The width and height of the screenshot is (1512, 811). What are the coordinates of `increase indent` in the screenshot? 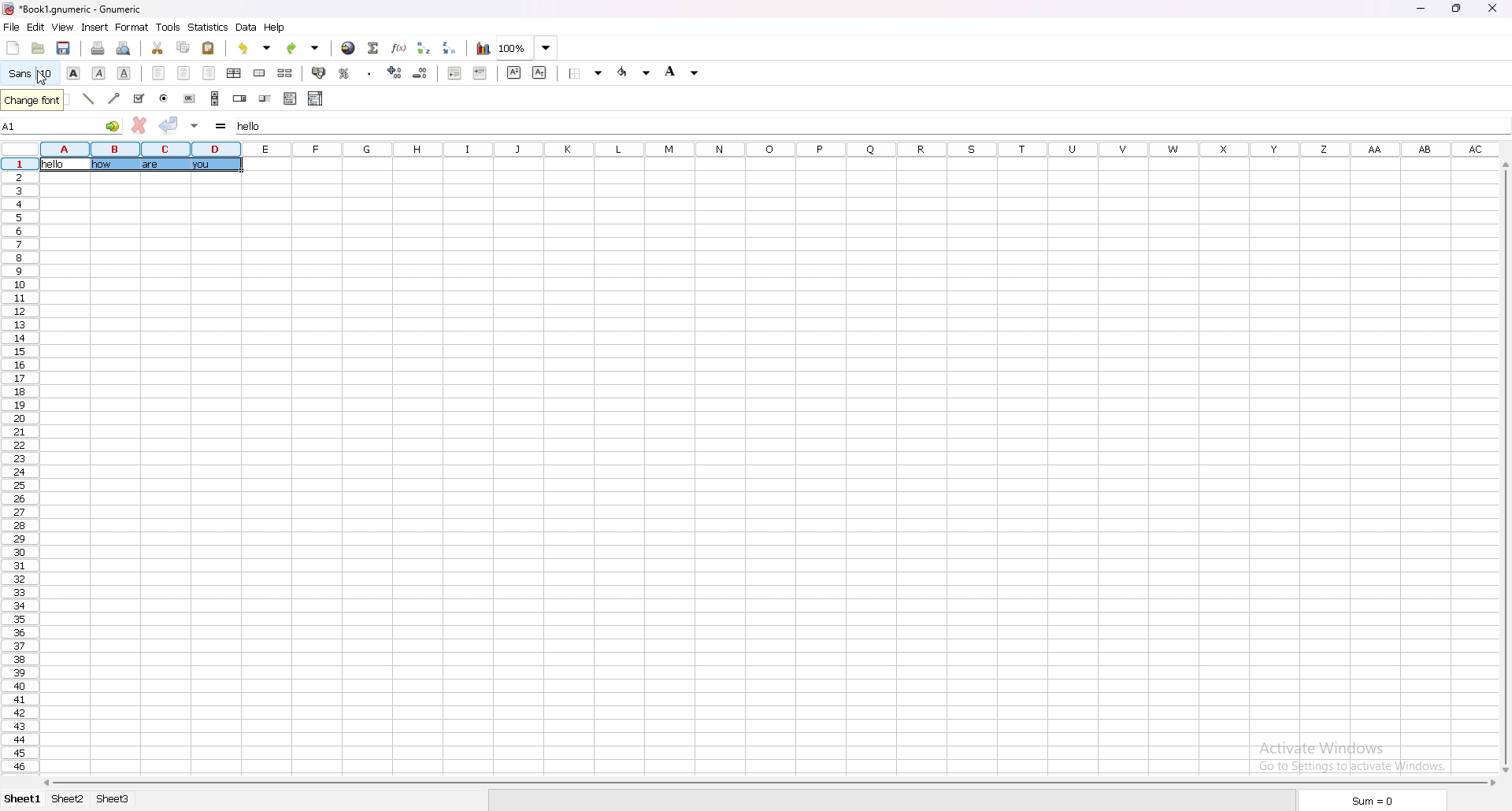 It's located at (480, 74).